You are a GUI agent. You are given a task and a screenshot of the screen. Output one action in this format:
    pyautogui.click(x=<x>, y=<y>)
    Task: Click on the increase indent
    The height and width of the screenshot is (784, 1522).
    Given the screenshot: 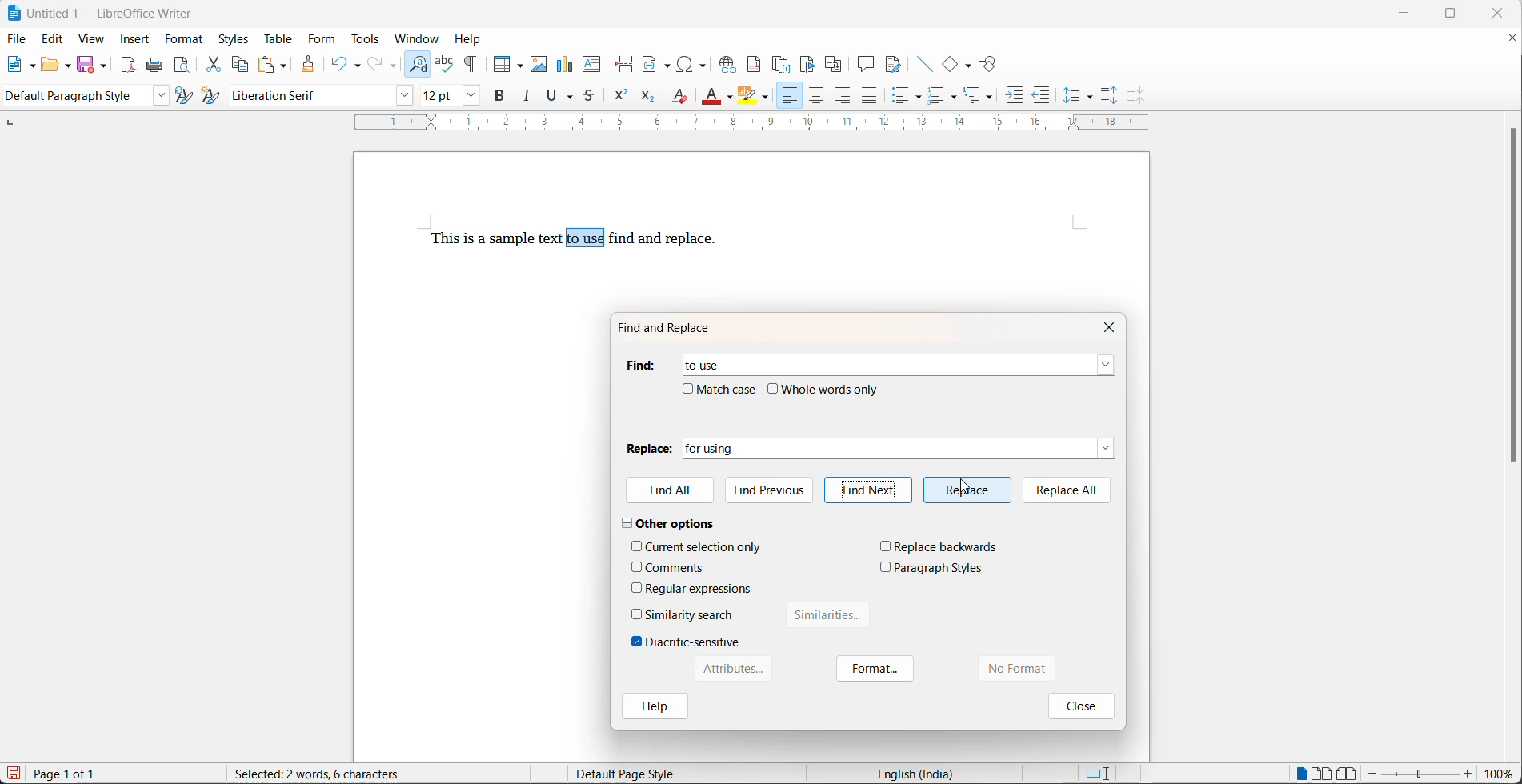 What is the action you would take?
    pyautogui.click(x=1015, y=98)
    